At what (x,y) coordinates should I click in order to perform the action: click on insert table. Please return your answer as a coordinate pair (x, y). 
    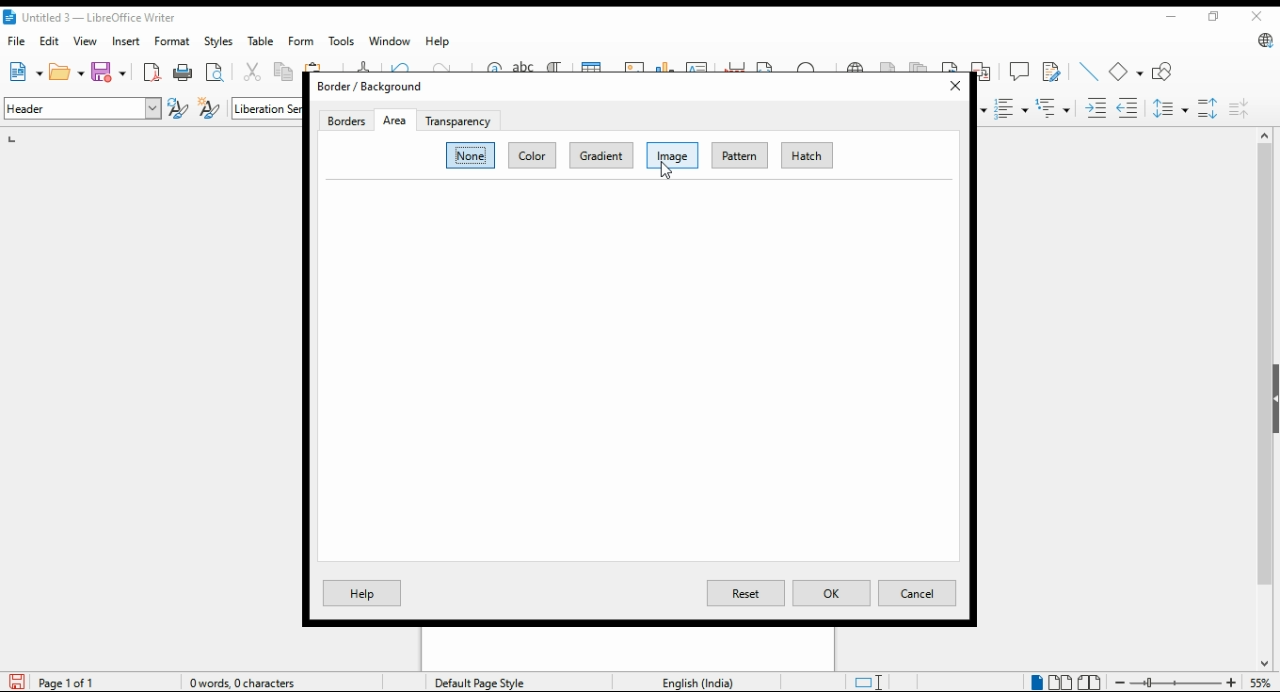
    Looking at the image, I should click on (597, 65).